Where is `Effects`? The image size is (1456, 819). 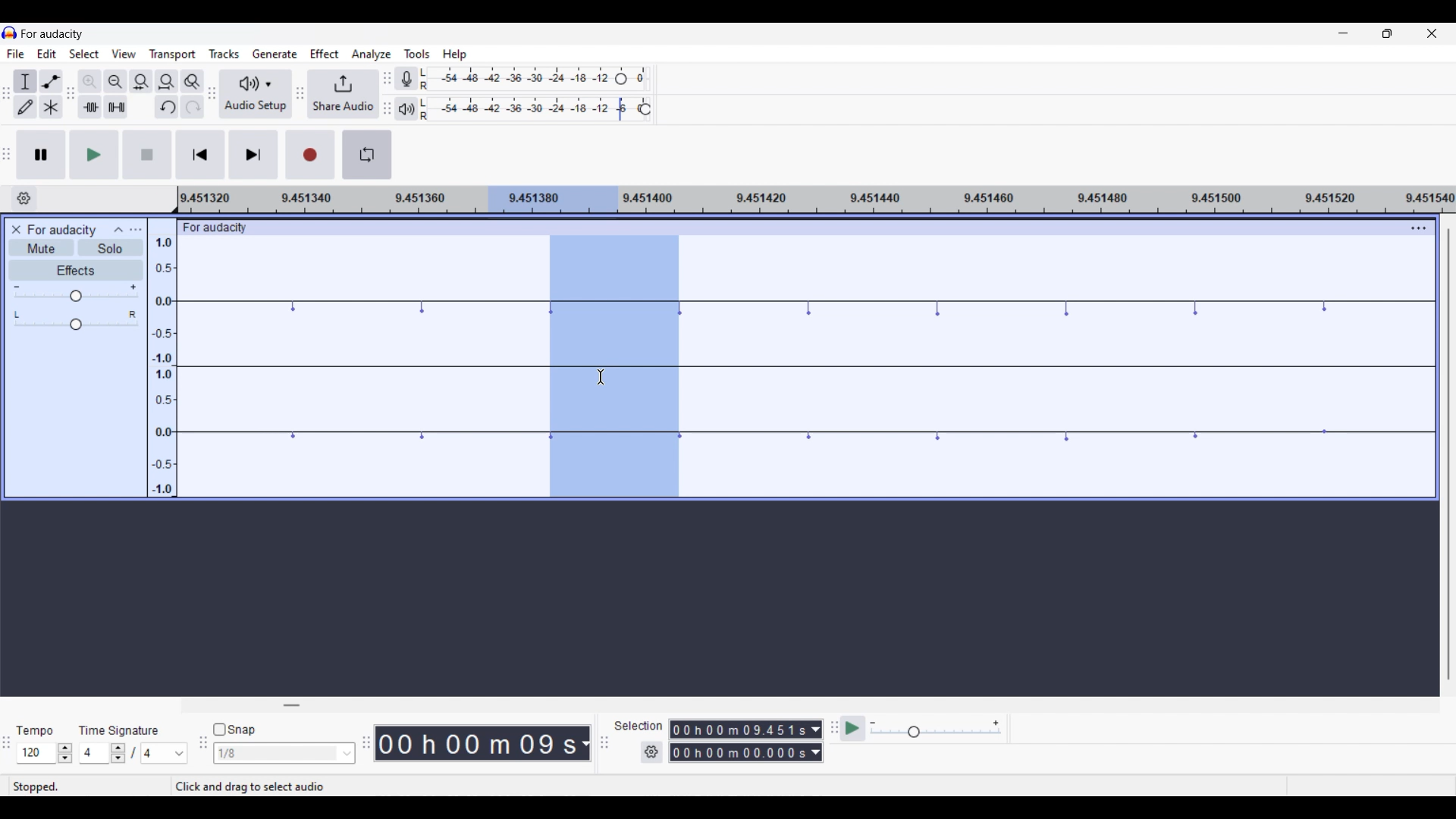 Effects is located at coordinates (77, 270).